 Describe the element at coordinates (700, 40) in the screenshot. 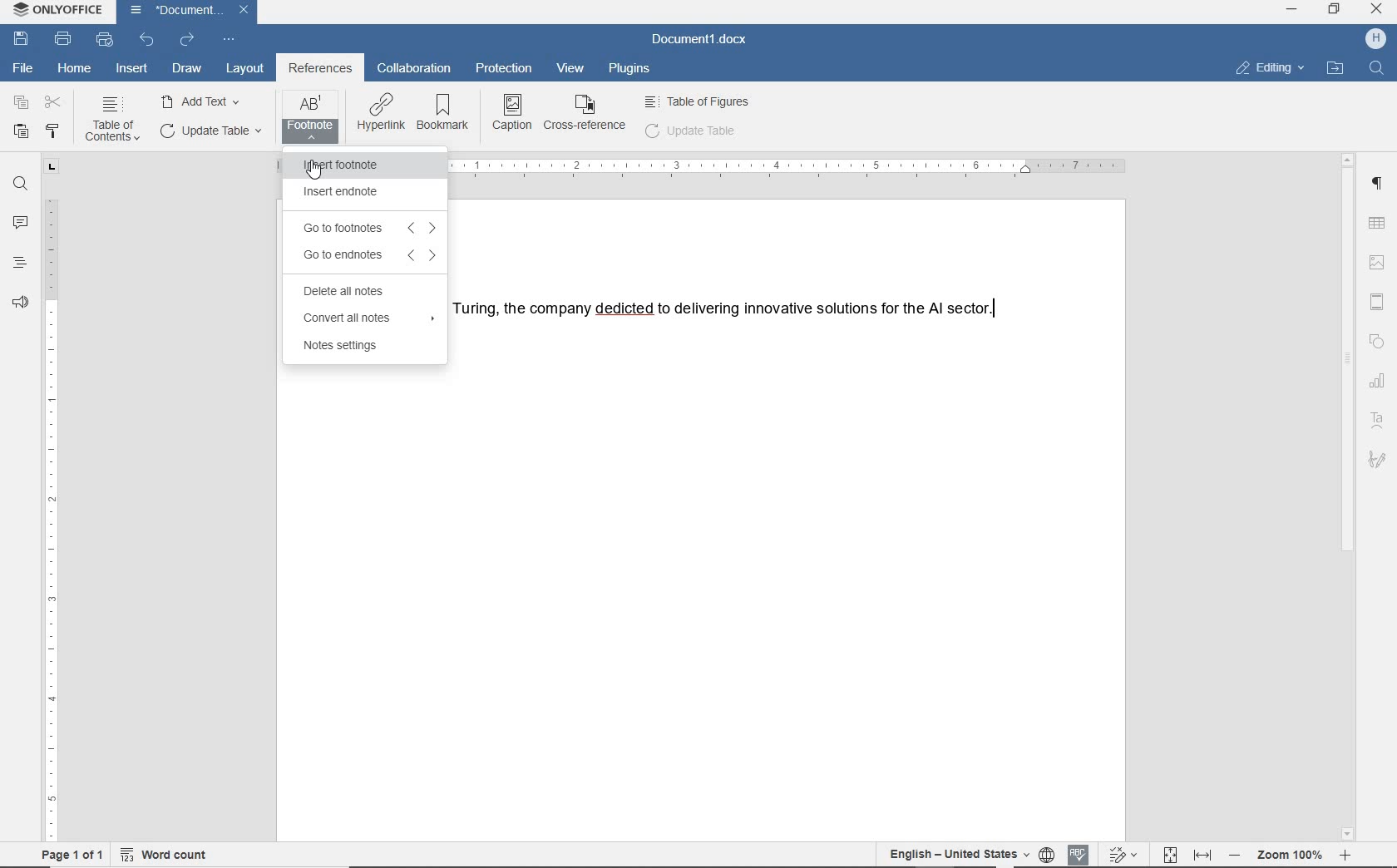

I see `document name` at that location.